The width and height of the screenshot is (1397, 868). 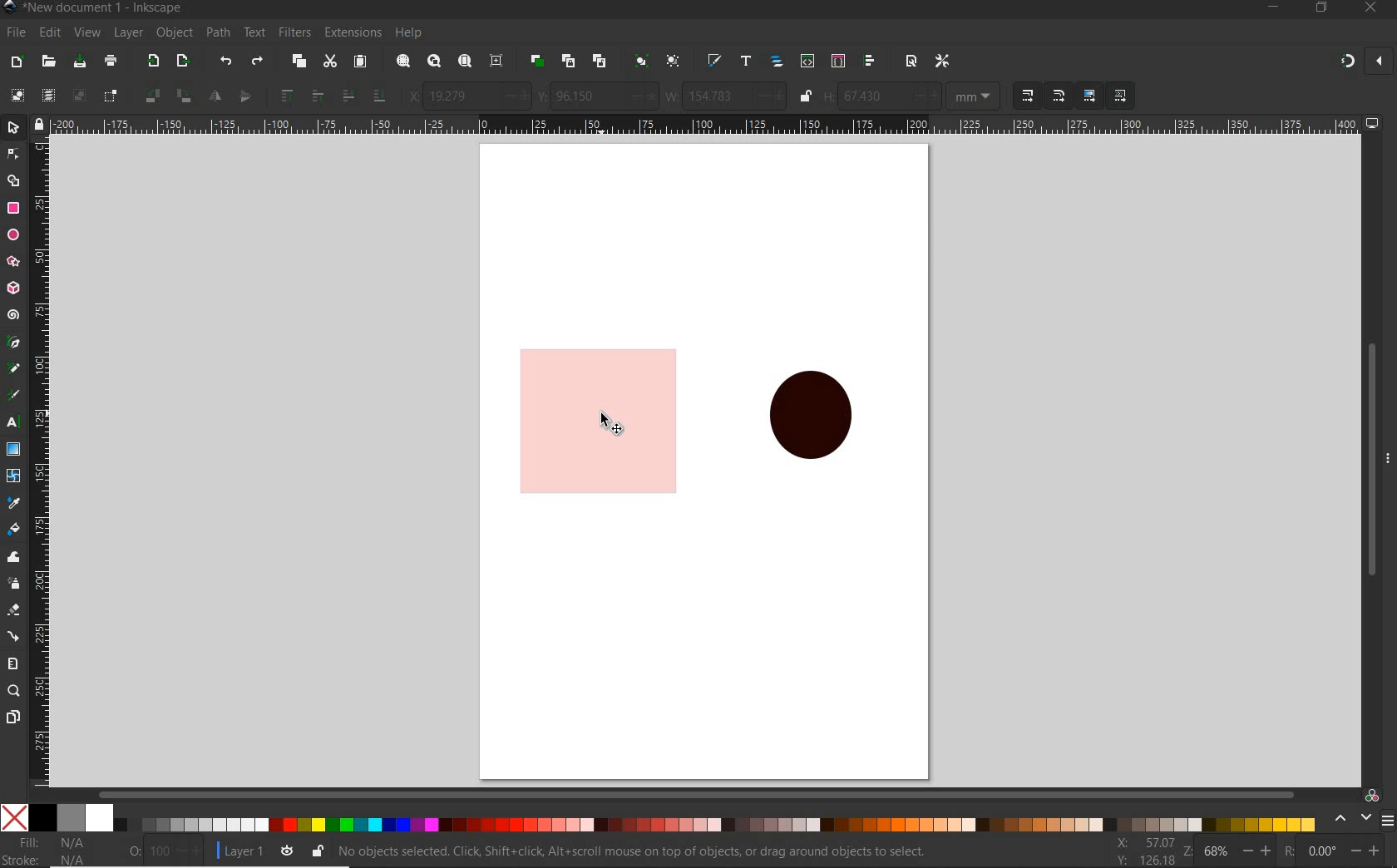 I want to click on measure tool, so click(x=12, y=664).